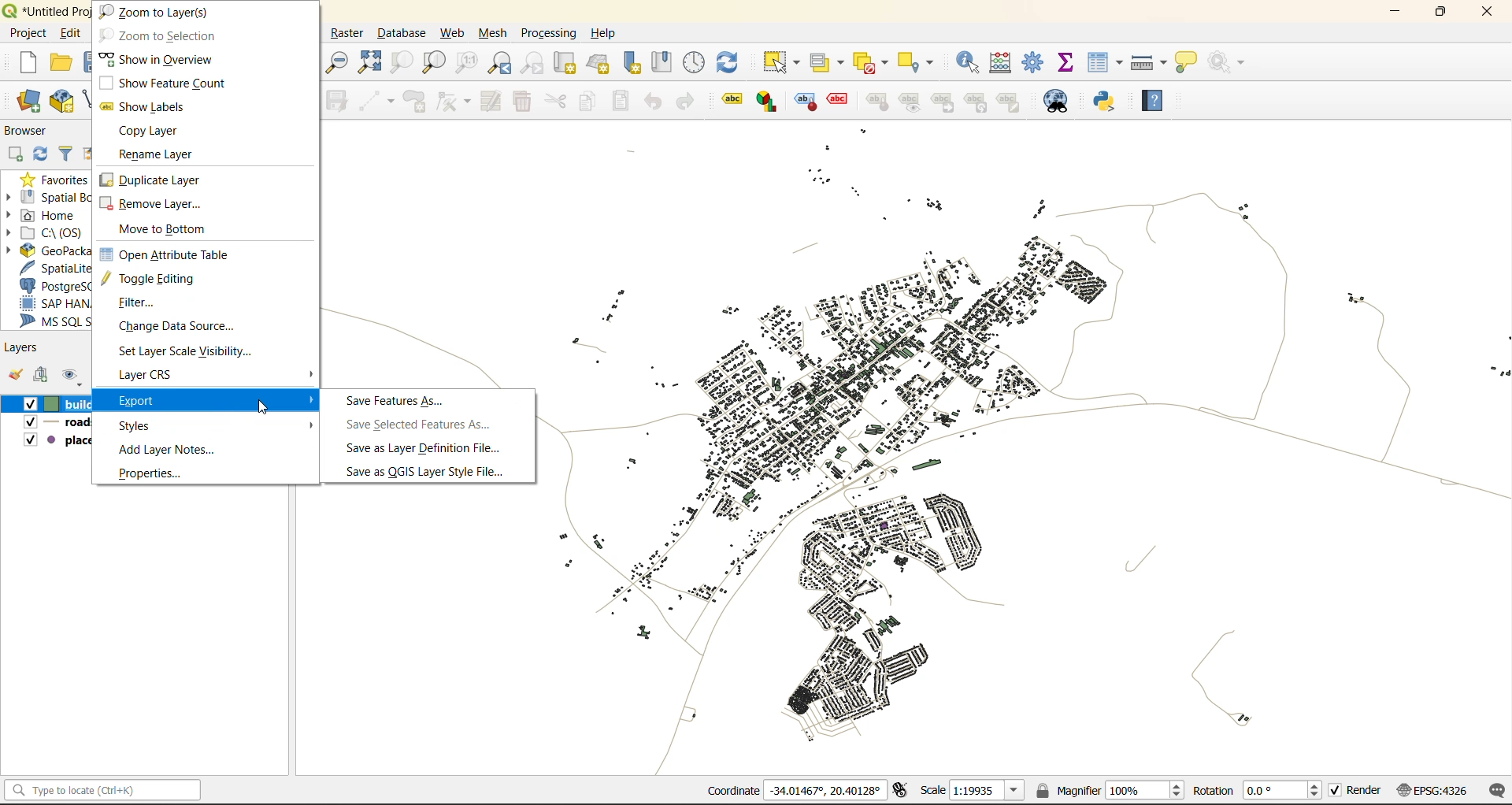 Image resolution: width=1512 pixels, height=805 pixels. What do you see at coordinates (584, 102) in the screenshot?
I see `copy` at bounding box center [584, 102].